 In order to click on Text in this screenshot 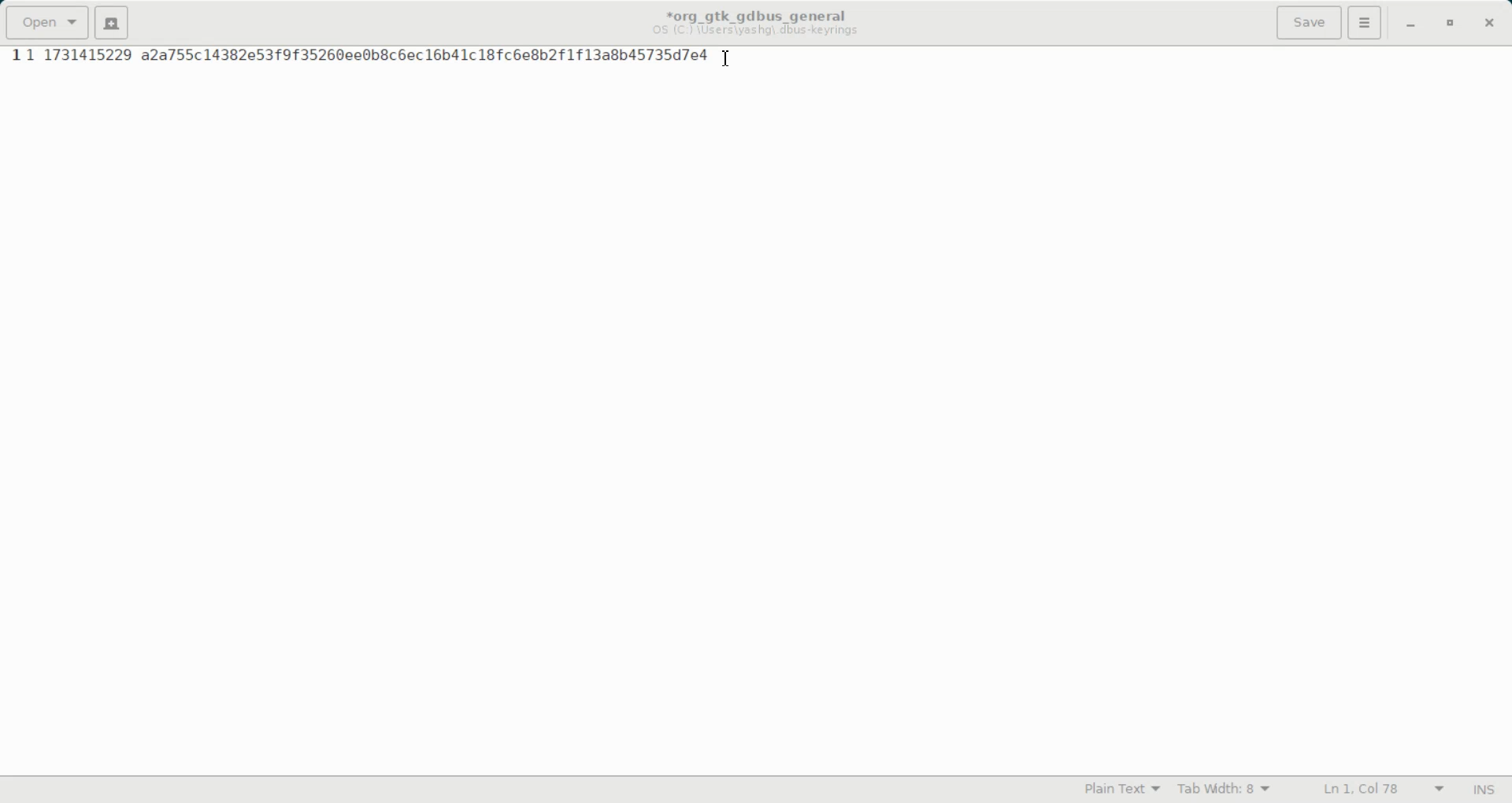, I will do `click(369, 56)`.